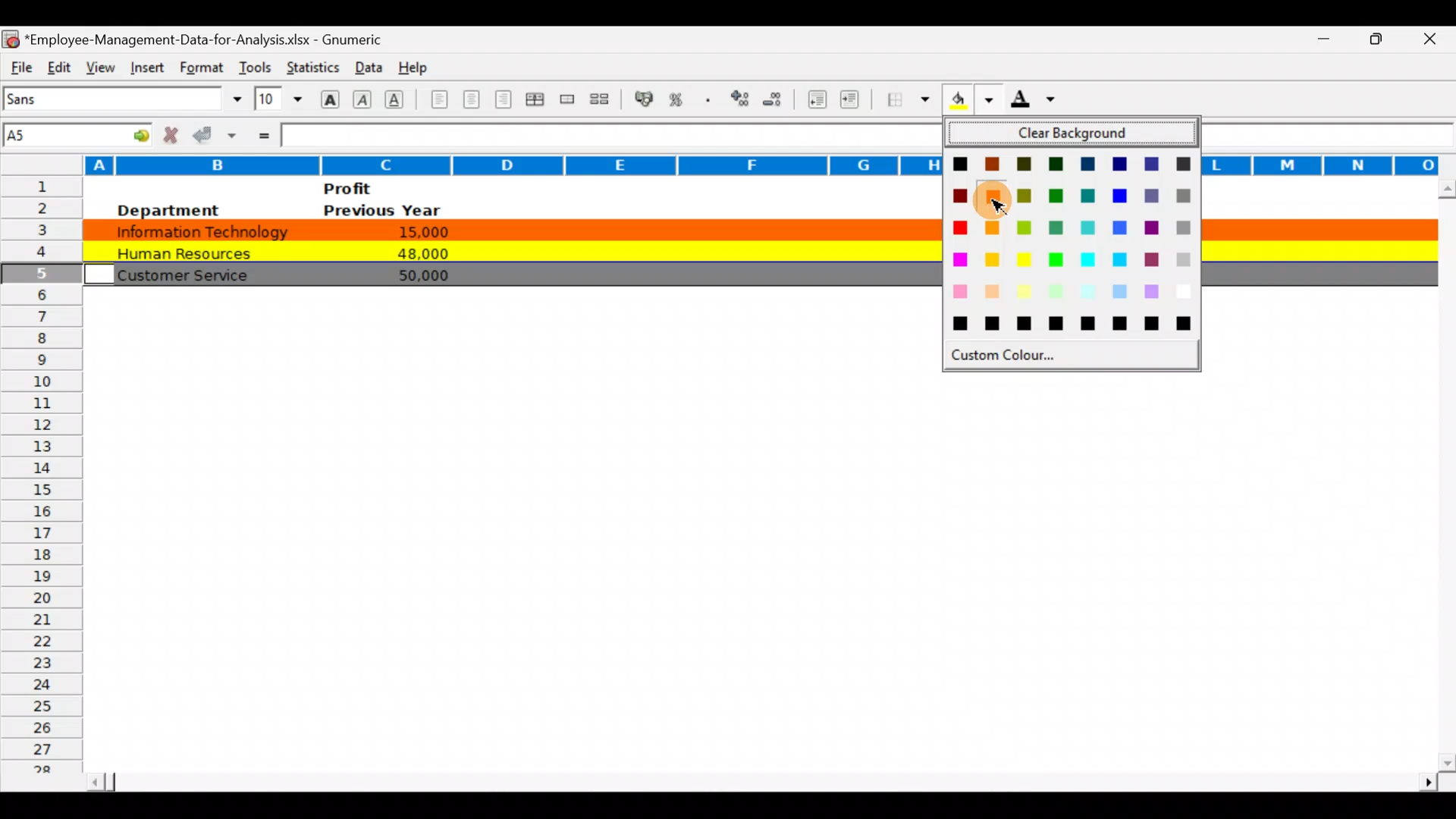 The height and width of the screenshot is (819, 1456). I want to click on Align left, so click(438, 99).